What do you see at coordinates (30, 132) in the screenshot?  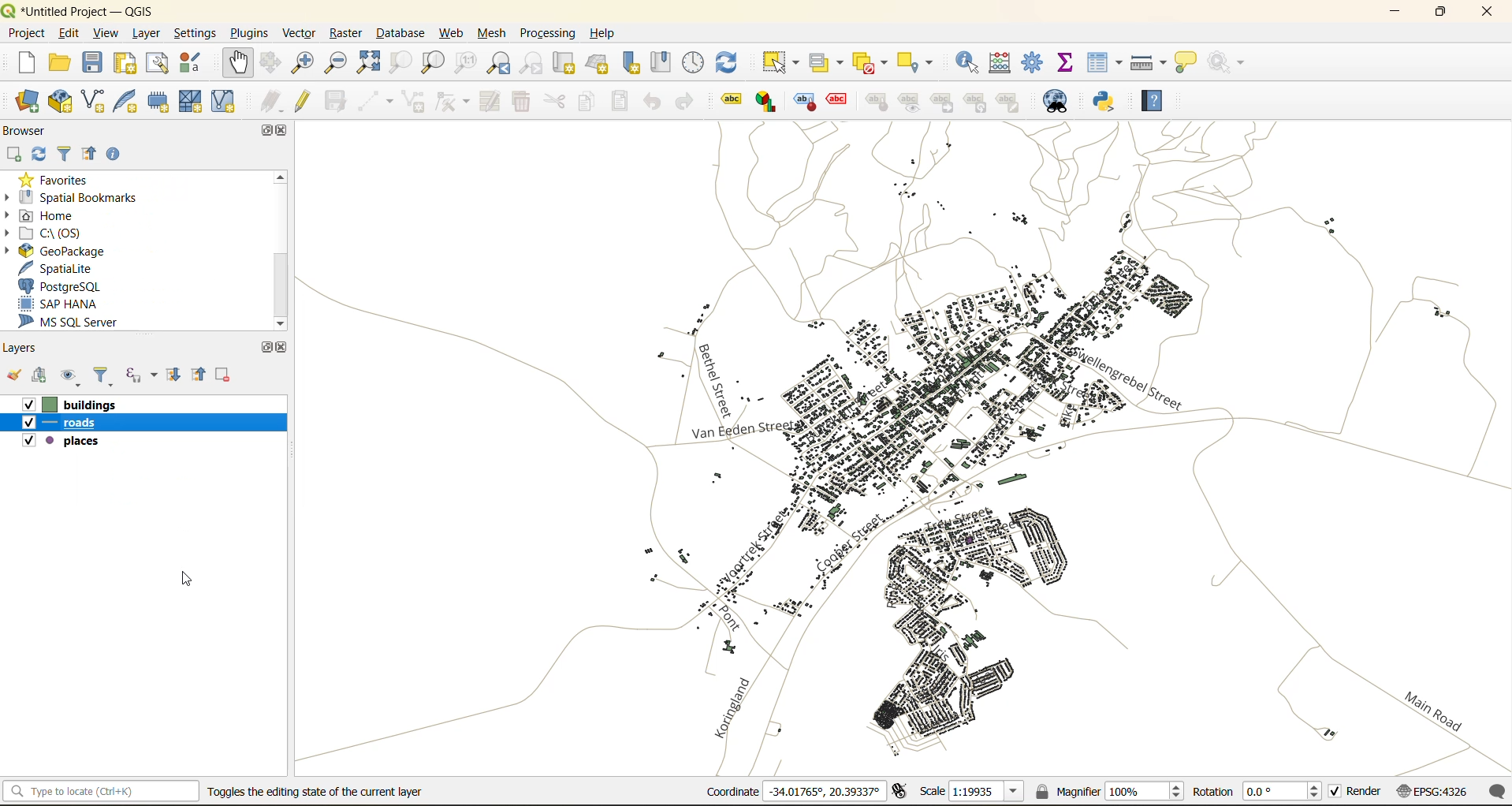 I see `browser` at bounding box center [30, 132].